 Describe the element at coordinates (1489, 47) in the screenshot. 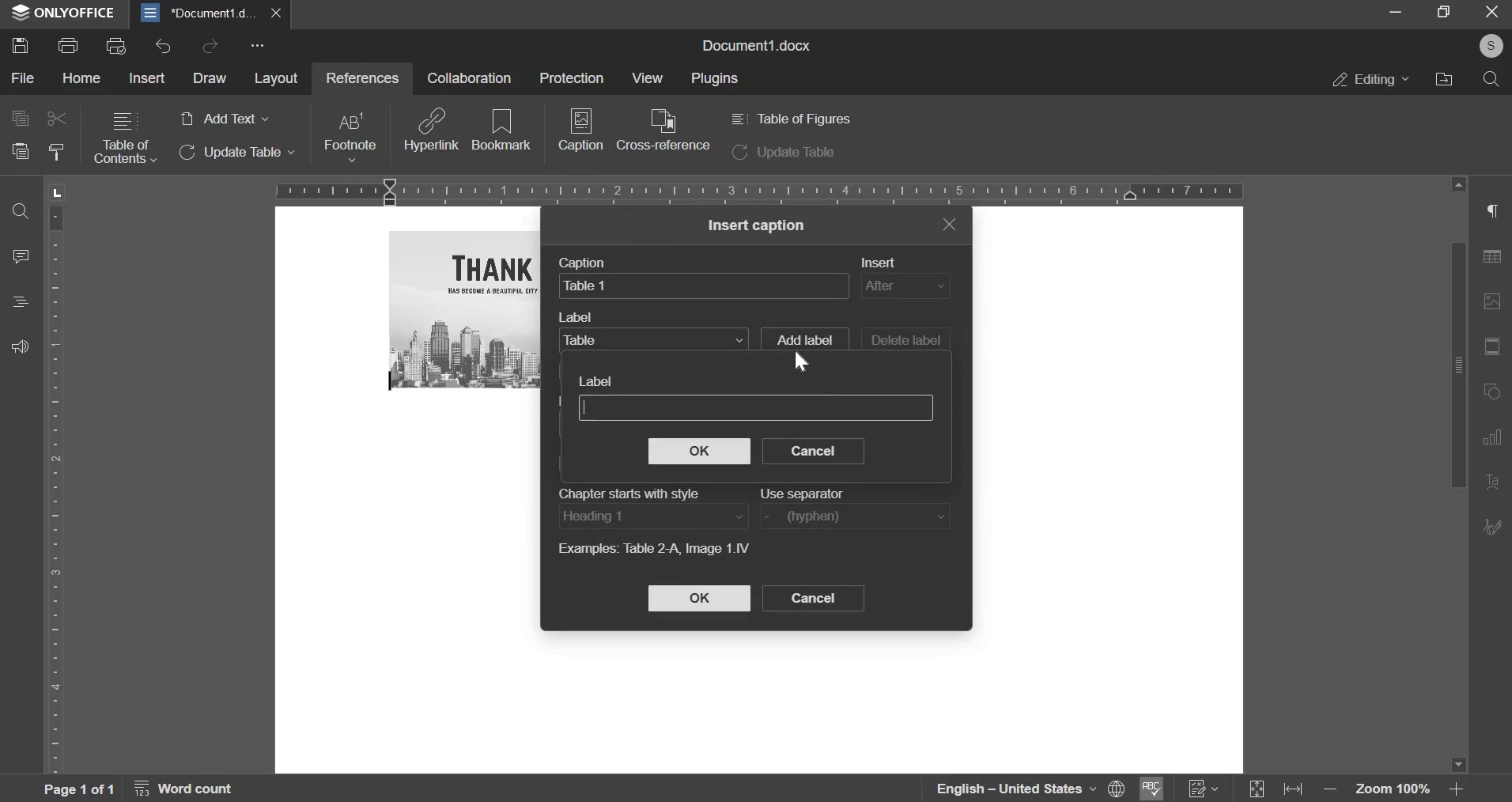

I see `profile` at that location.